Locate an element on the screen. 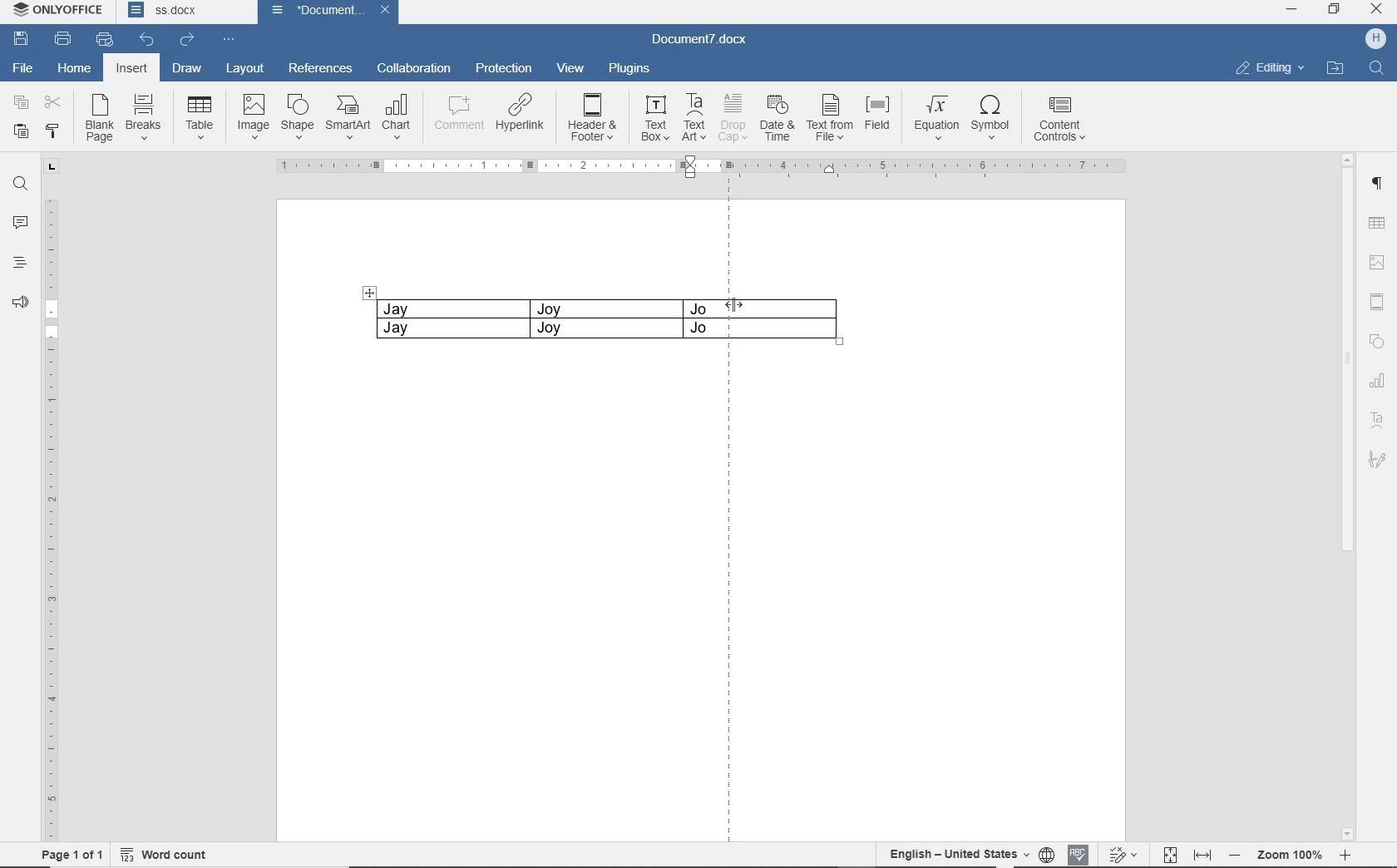  WORD COUNT is located at coordinates (167, 852).